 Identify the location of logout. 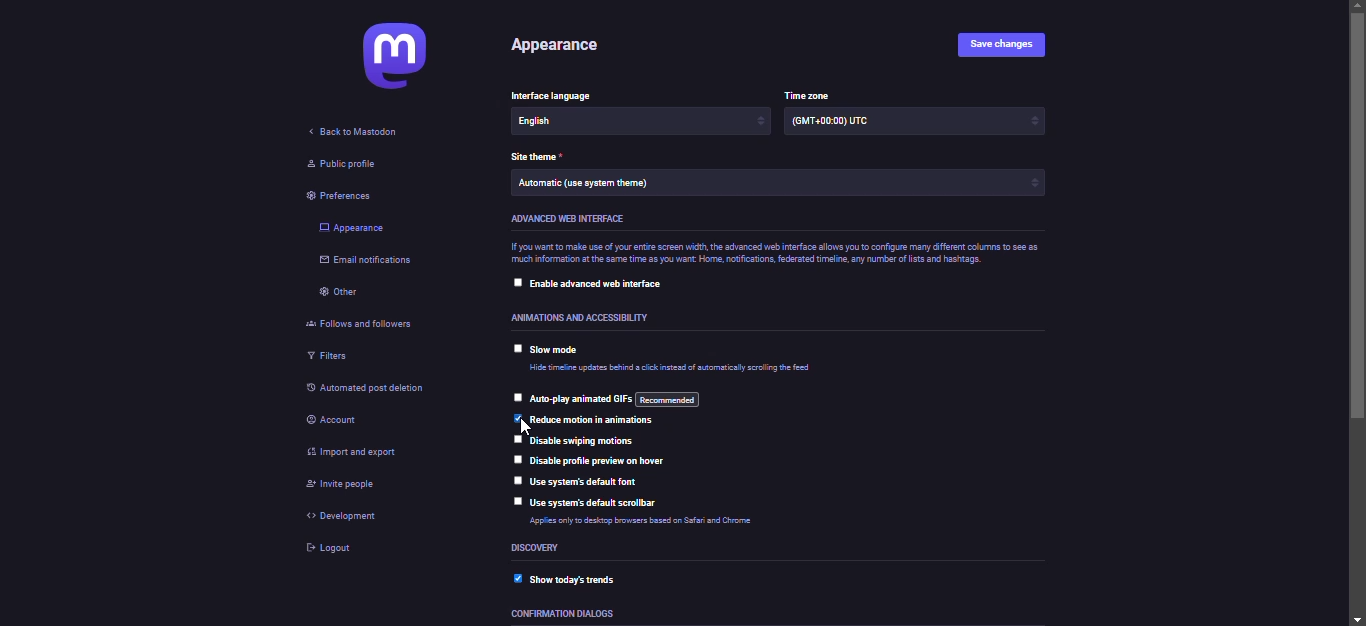
(334, 552).